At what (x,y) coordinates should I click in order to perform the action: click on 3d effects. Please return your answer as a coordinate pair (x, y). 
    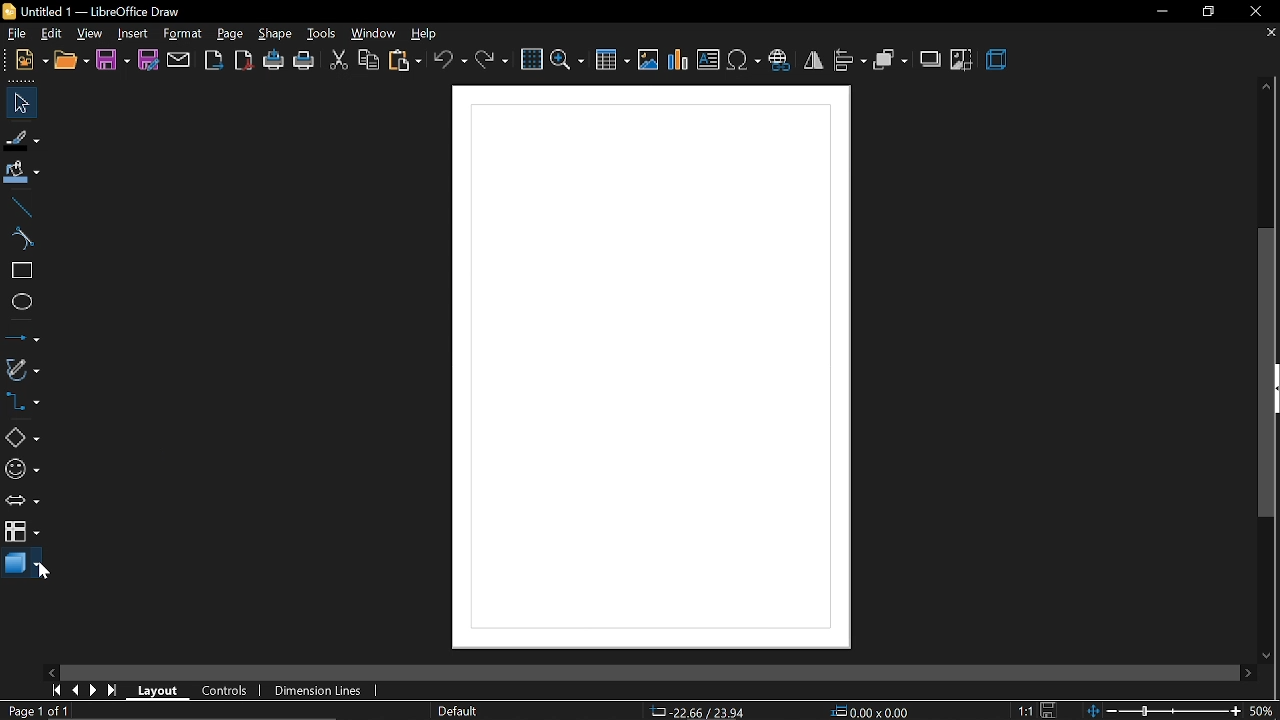
    Looking at the image, I should click on (997, 60).